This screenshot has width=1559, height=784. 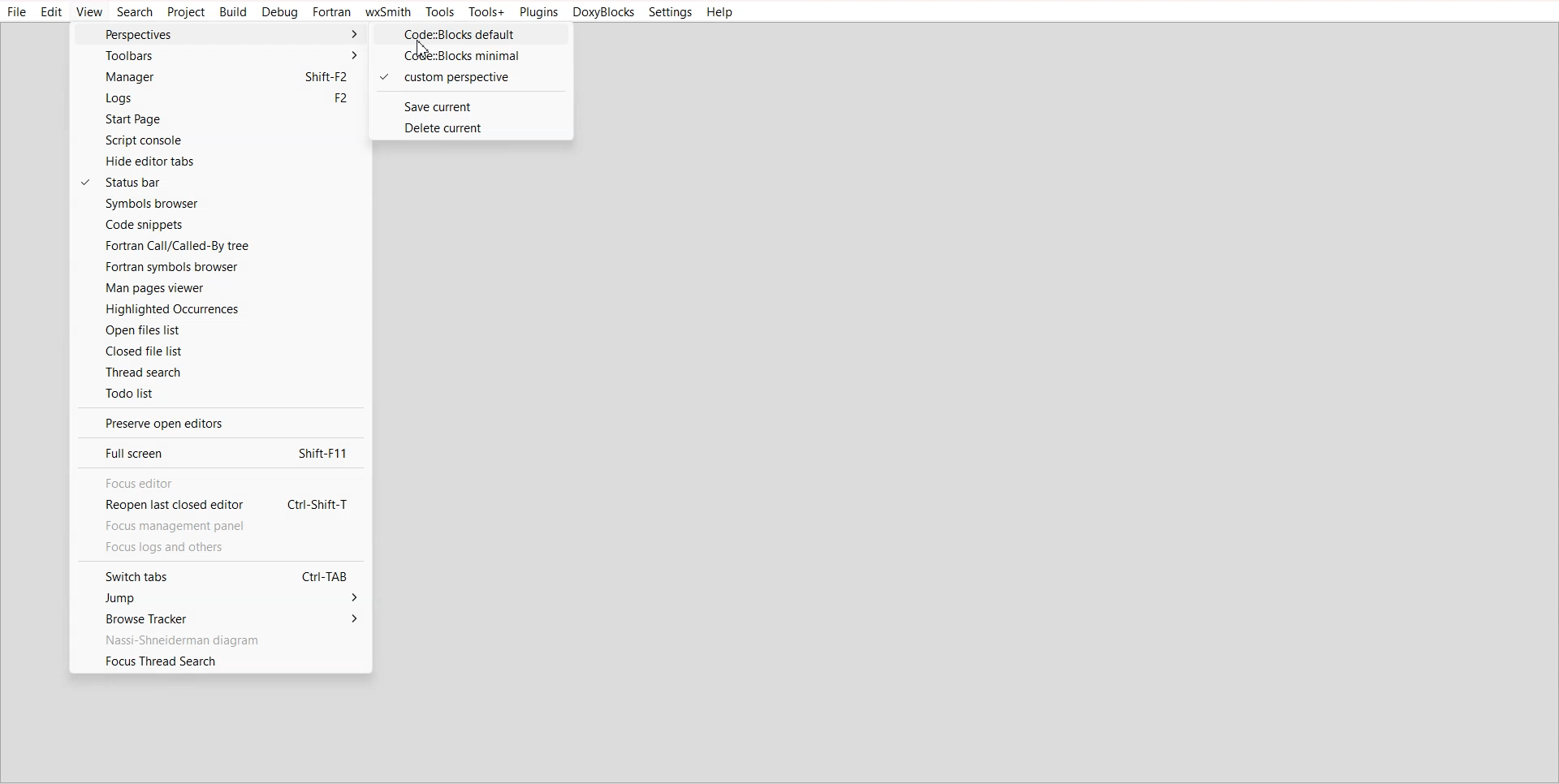 I want to click on Browse Tracker, so click(x=217, y=618).